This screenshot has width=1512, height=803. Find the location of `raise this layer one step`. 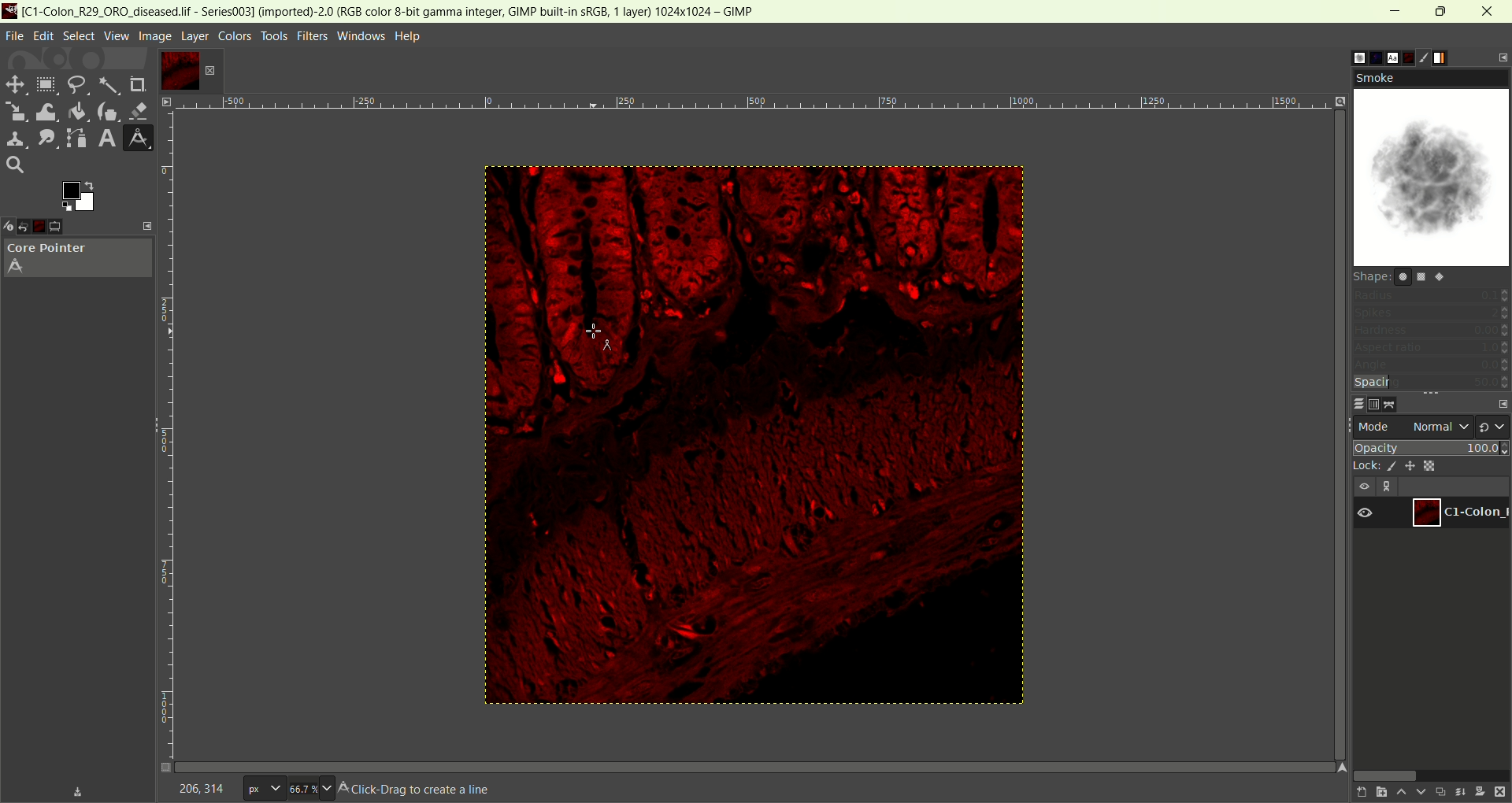

raise this layer one step is located at coordinates (1400, 793).